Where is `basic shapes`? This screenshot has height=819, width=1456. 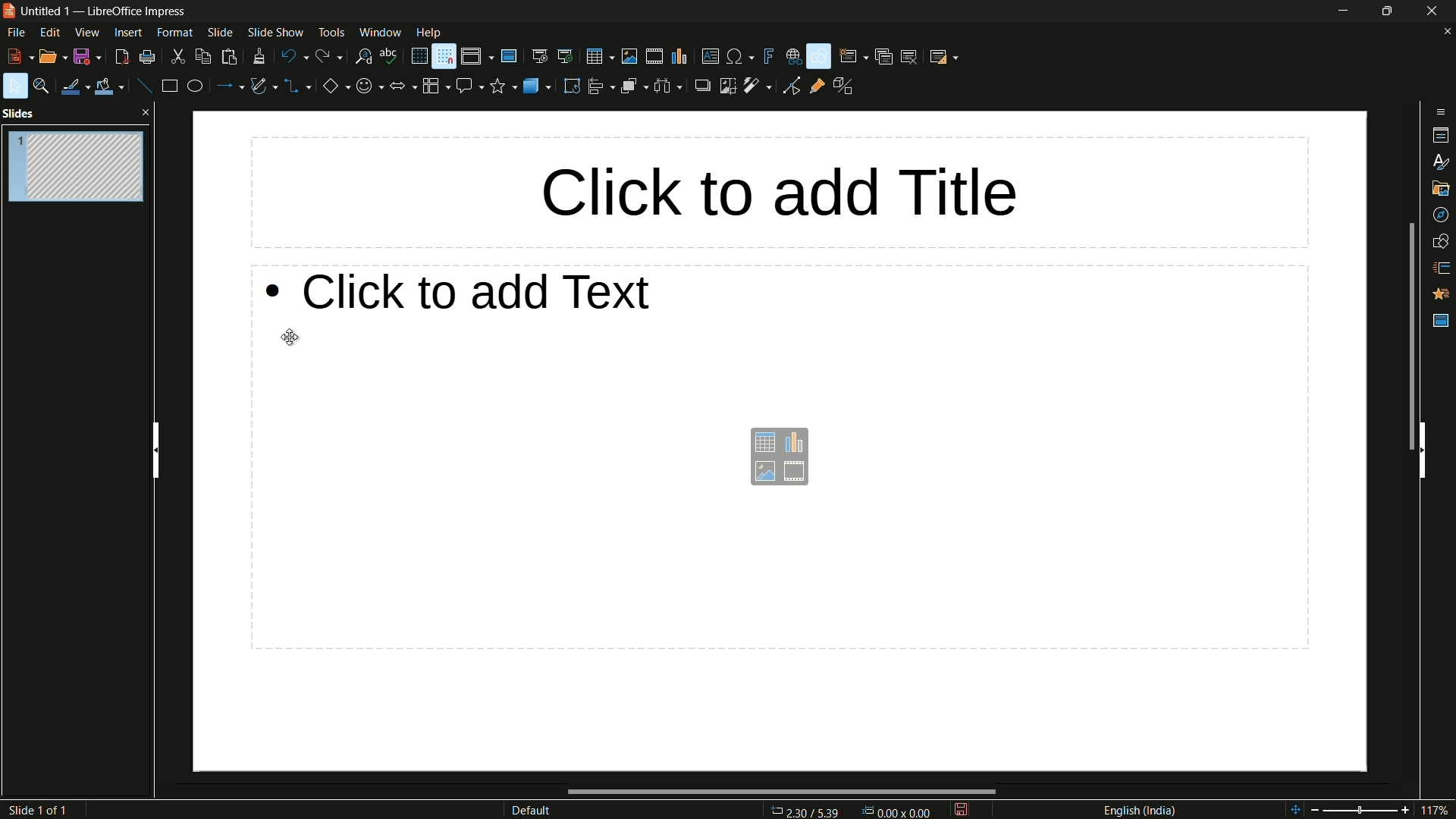
basic shapes is located at coordinates (336, 86).